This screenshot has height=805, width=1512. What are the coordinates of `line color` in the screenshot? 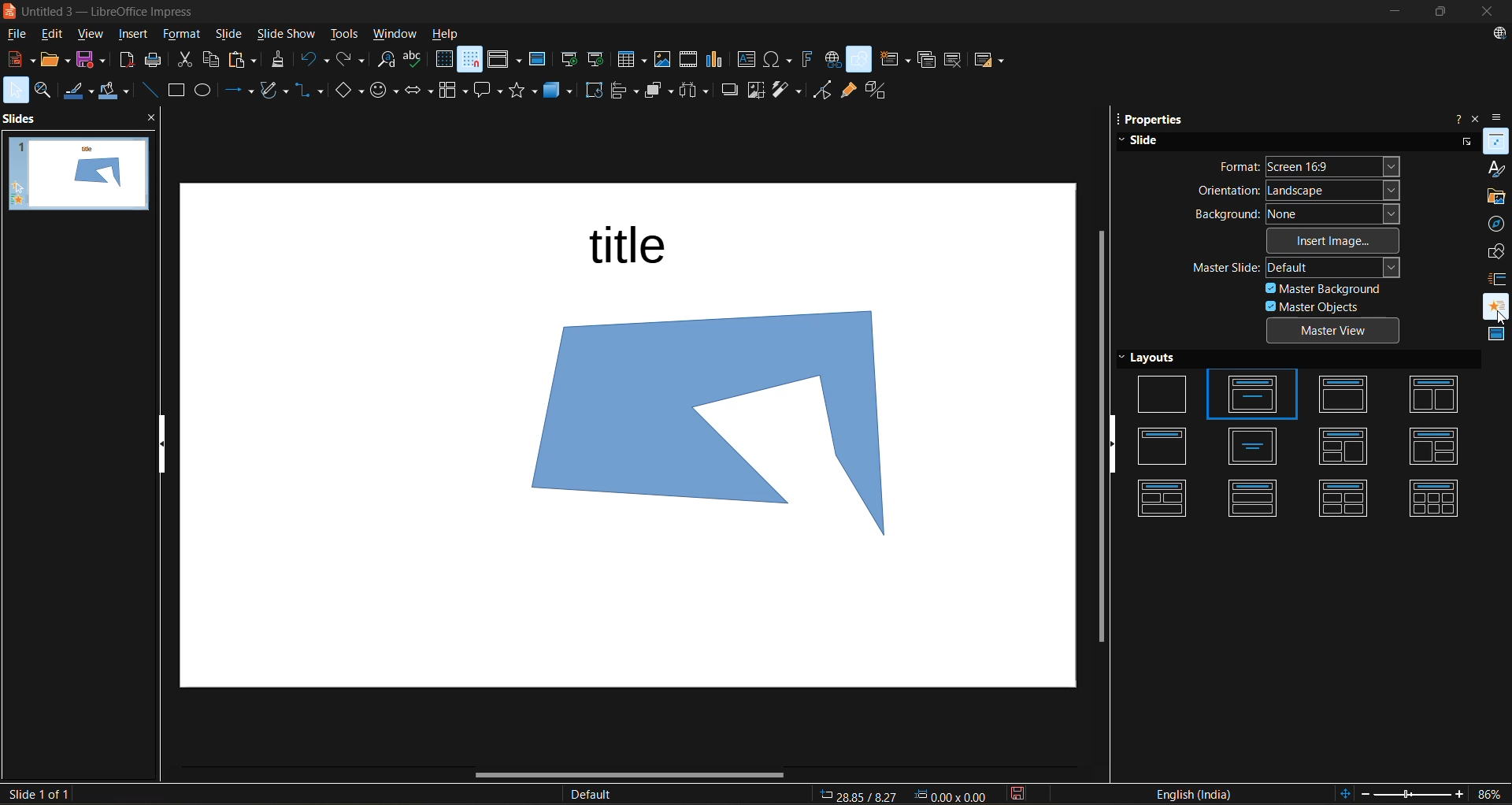 It's located at (80, 91).